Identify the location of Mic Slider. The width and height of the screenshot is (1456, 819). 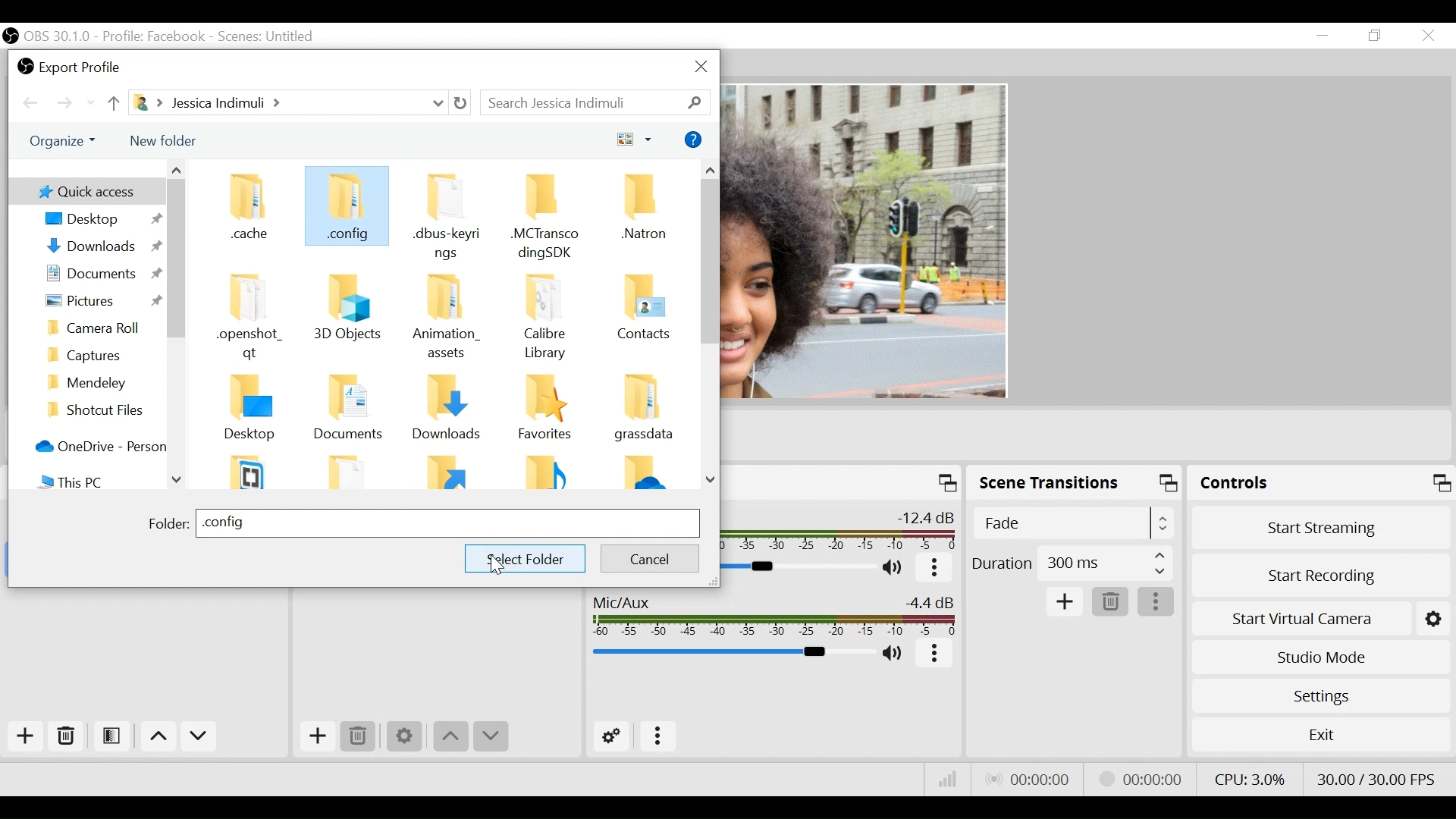
(730, 653).